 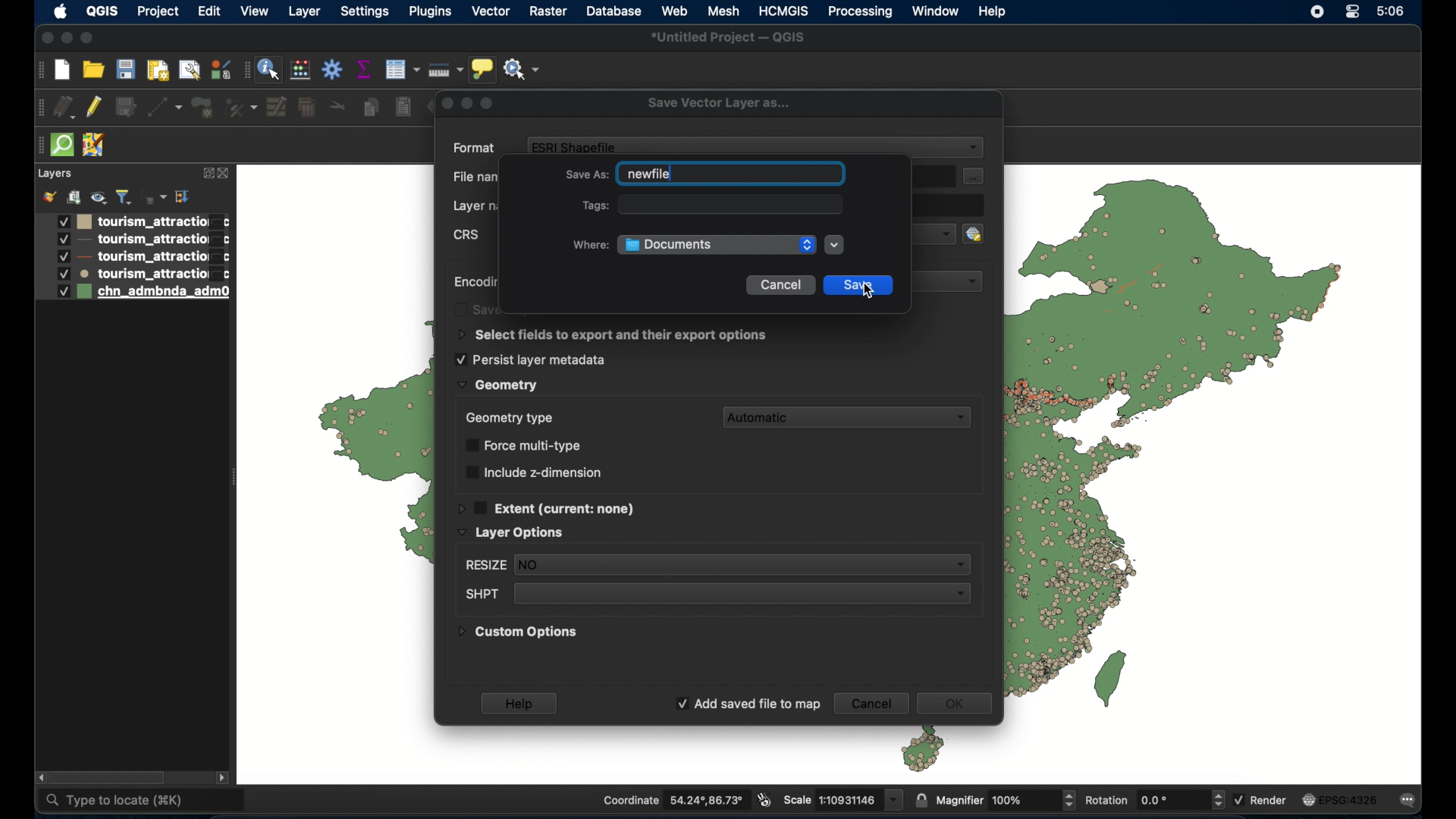 What do you see at coordinates (475, 149) in the screenshot?
I see `format` at bounding box center [475, 149].